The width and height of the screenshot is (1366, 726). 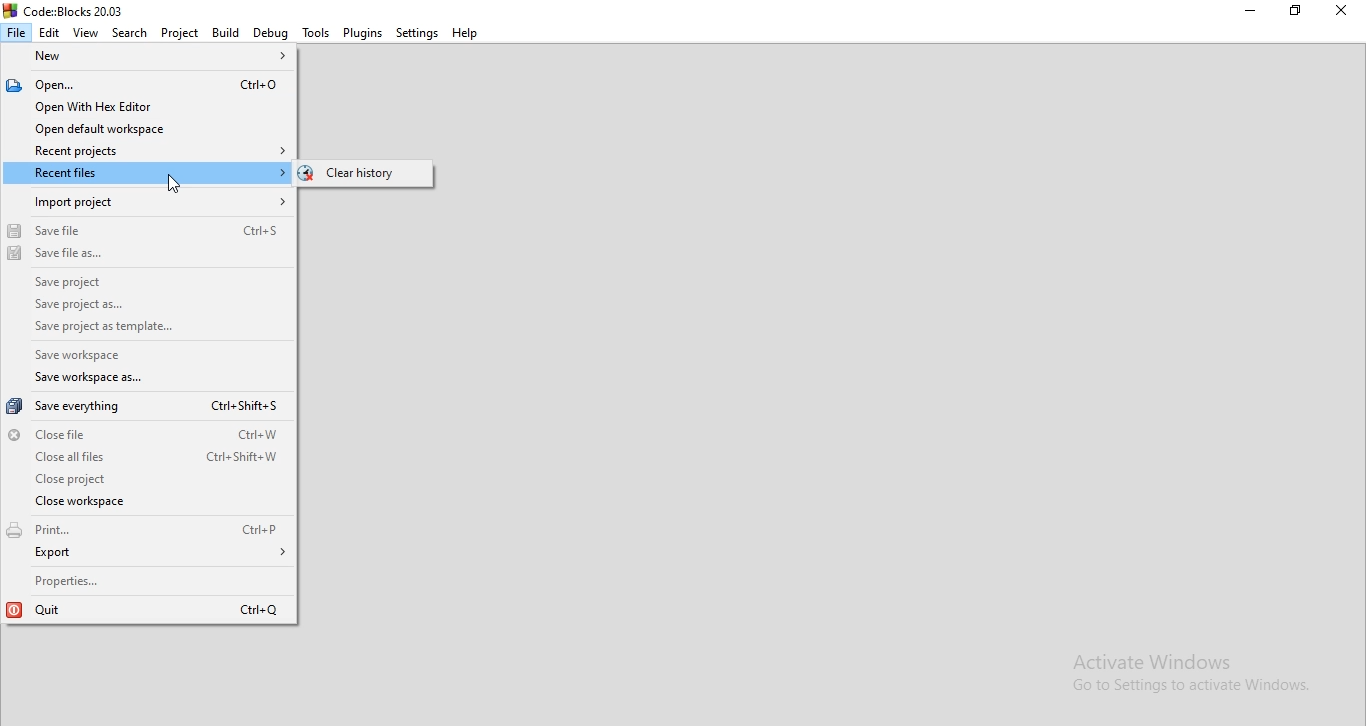 I want to click on Debug , so click(x=269, y=34).